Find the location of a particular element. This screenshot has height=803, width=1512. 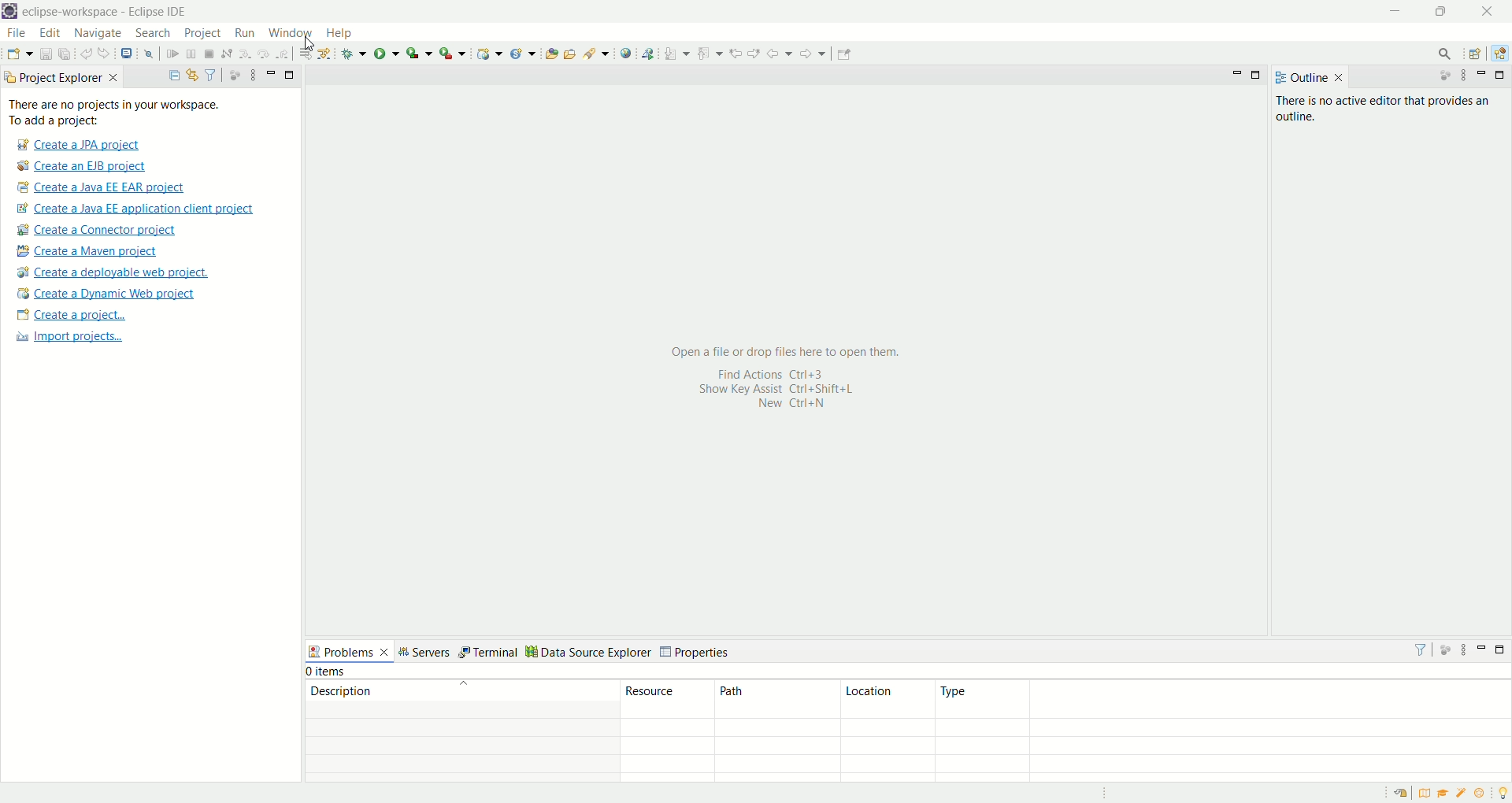

back is located at coordinates (780, 53).